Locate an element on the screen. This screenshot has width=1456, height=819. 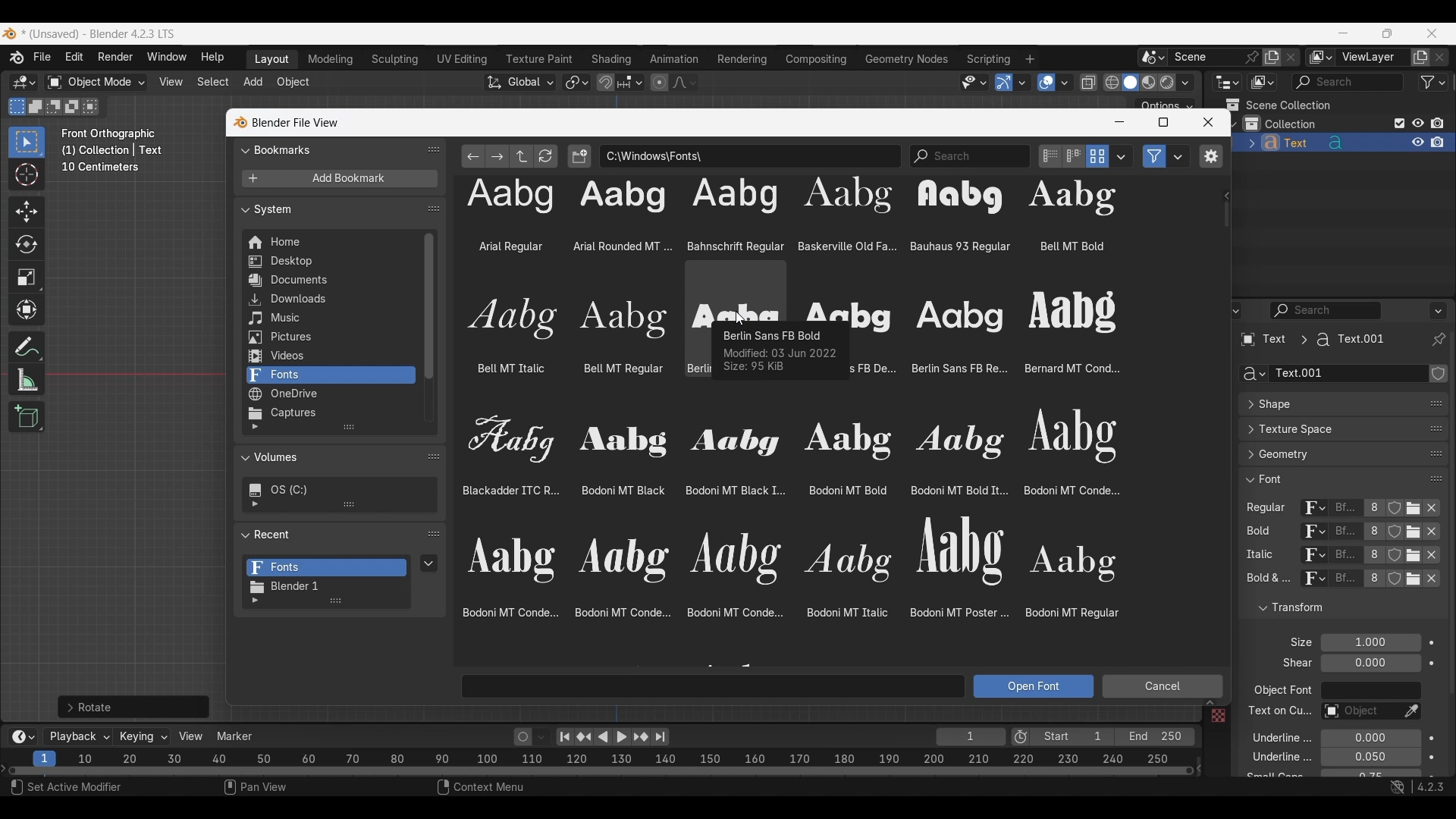
10 20 30 40 50 60 70 80 90 100 110 120 130 140 150 160 170 180 190 200 210 220 230 240 250 is located at coordinates (627, 757).